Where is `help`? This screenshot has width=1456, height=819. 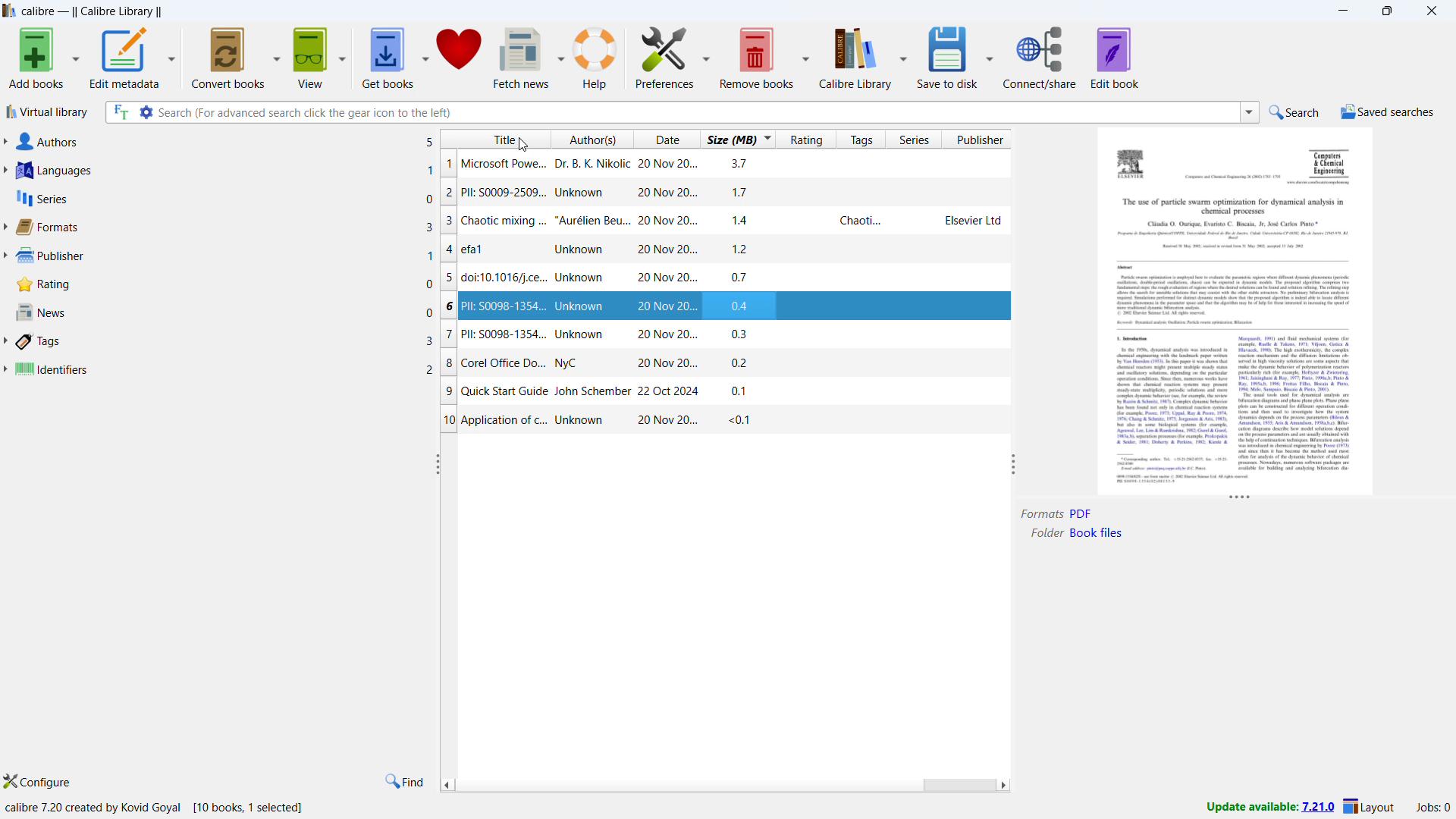
help is located at coordinates (595, 56).